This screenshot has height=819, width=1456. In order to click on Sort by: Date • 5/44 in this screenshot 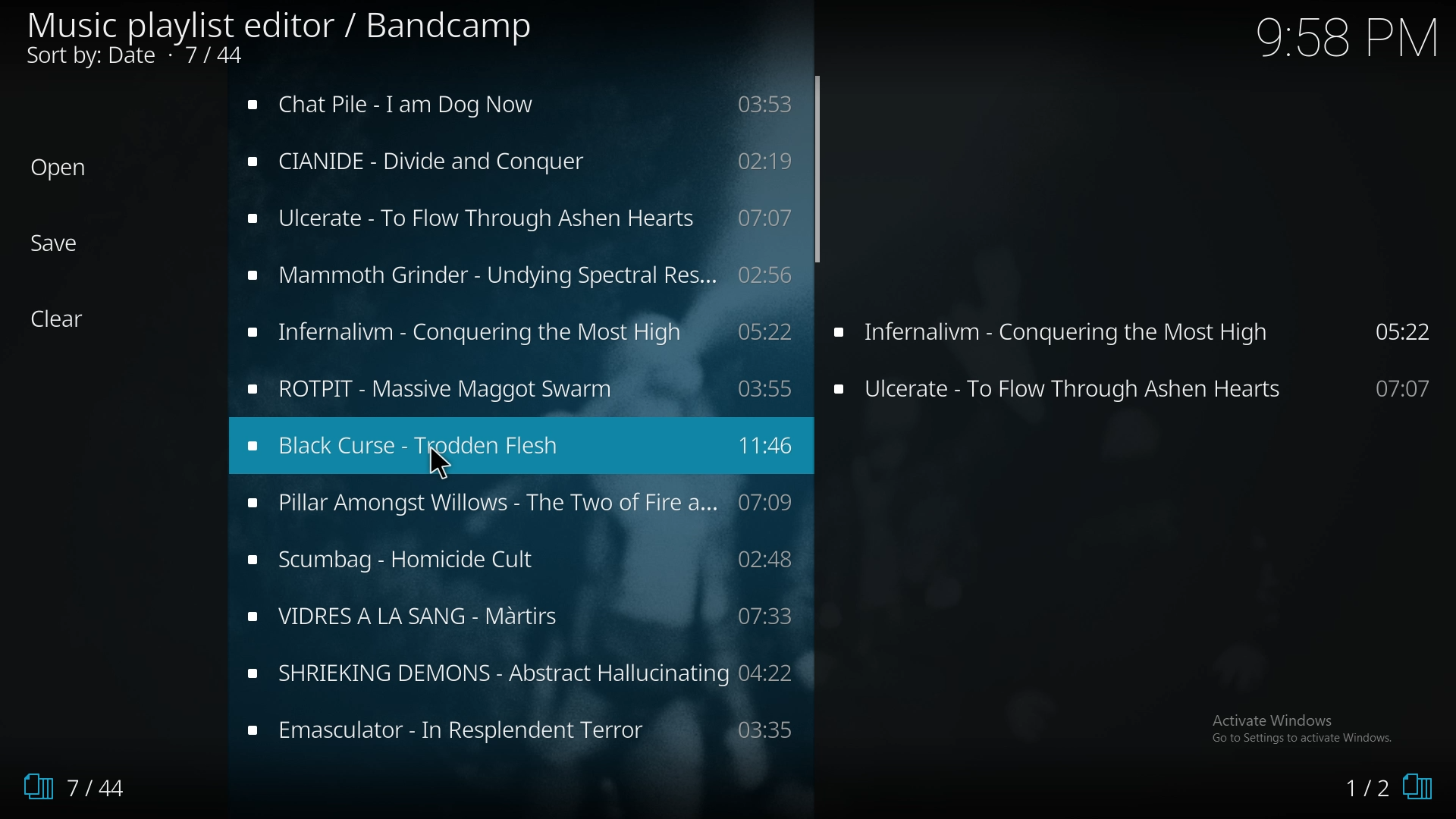, I will do `click(161, 58)`.